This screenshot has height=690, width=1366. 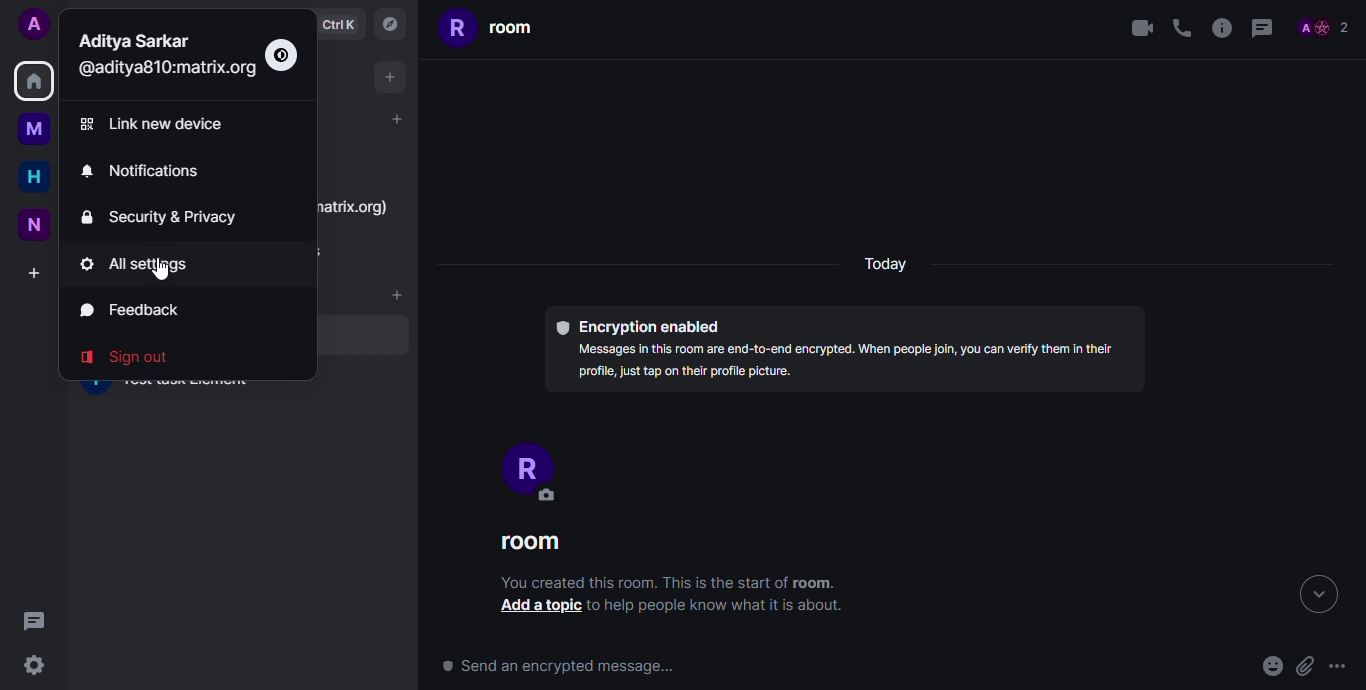 What do you see at coordinates (38, 128) in the screenshot?
I see `myspace` at bounding box center [38, 128].